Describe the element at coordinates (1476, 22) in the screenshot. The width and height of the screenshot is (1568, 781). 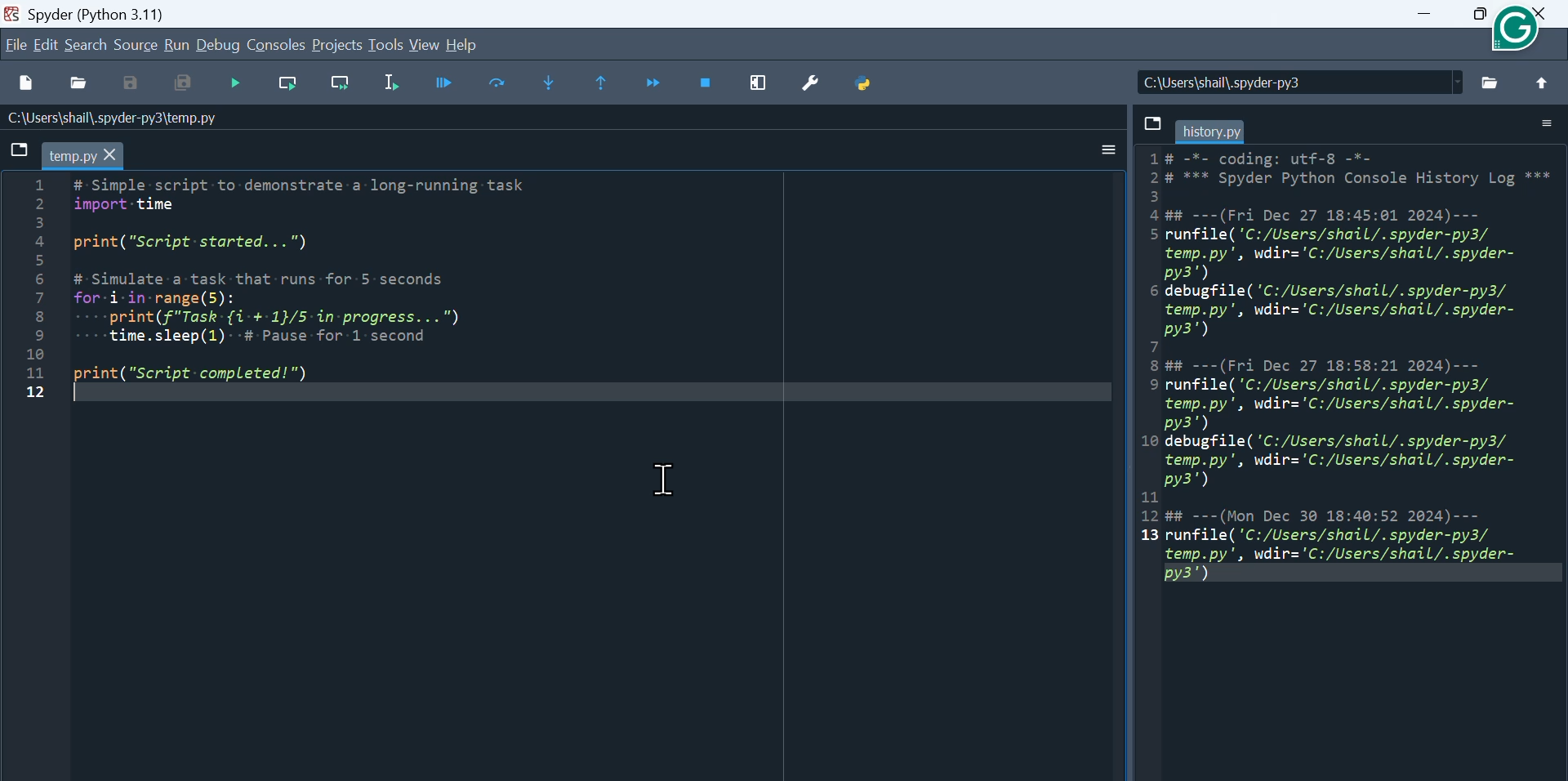
I see `maximize` at that location.